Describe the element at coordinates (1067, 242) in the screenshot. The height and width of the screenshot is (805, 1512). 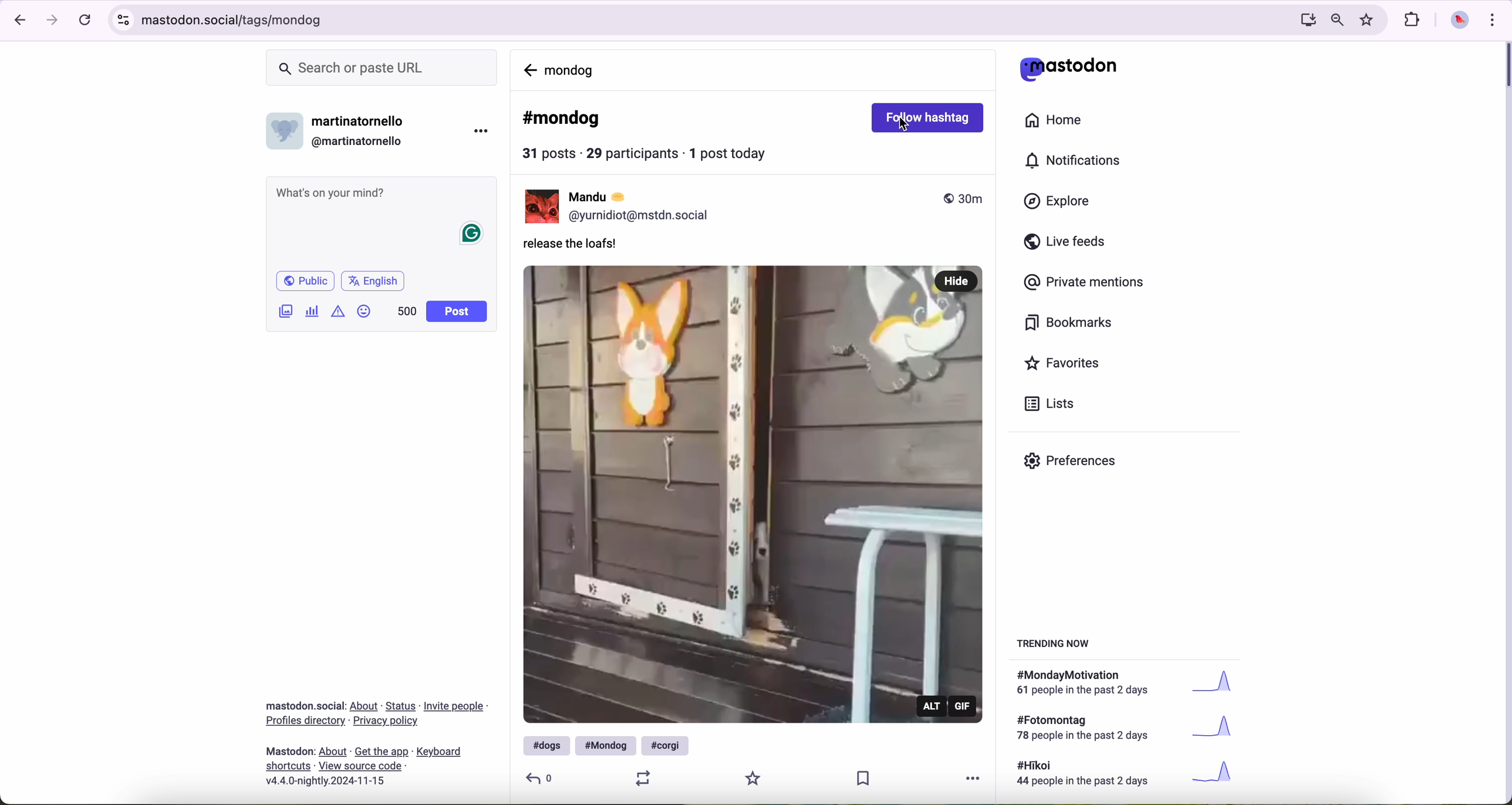
I see `live feeds` at that location.